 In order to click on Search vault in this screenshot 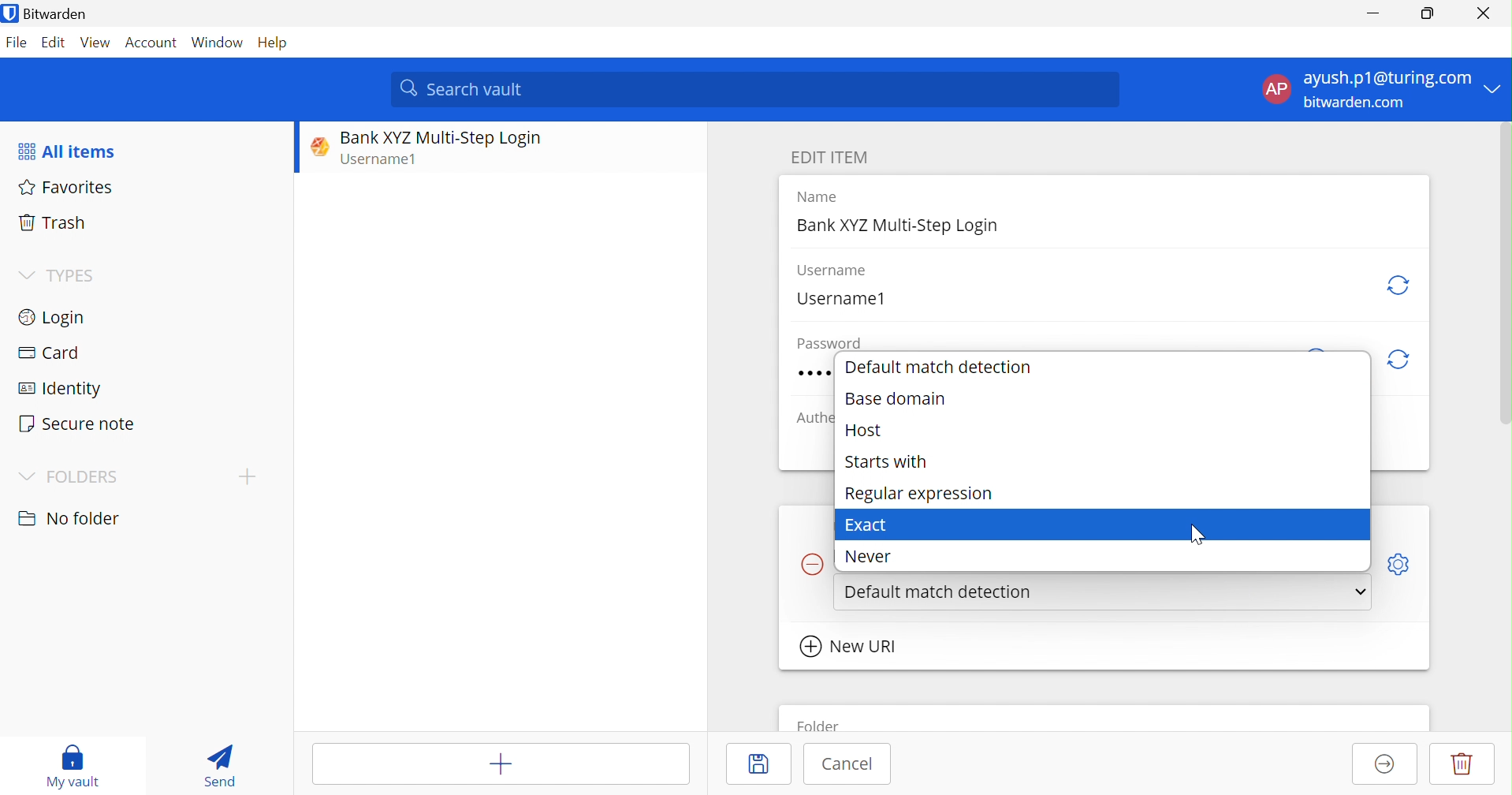, I will do `click(758, 88)`.